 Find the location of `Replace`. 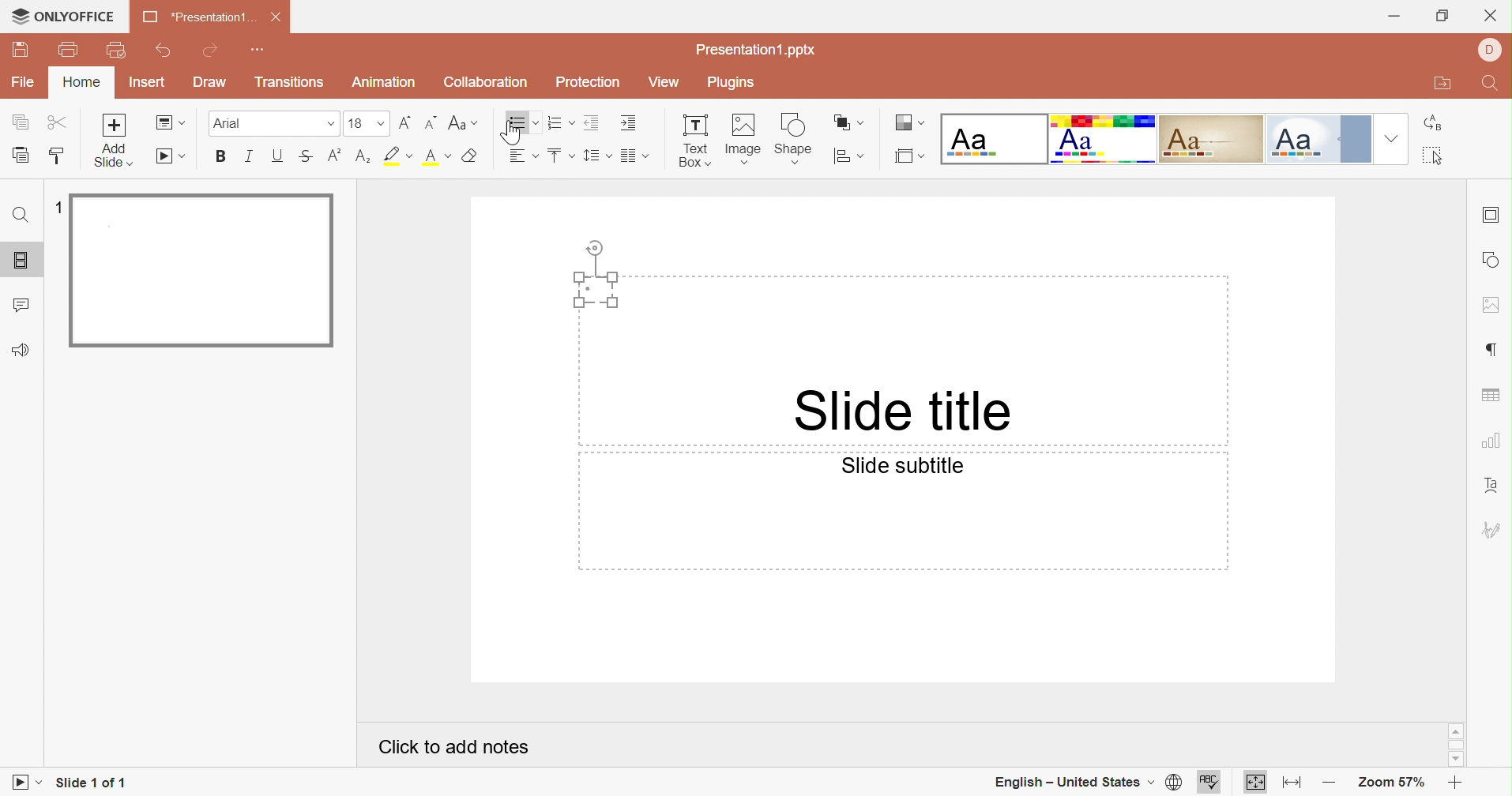

Replace is located at coordinates (1437, 126).